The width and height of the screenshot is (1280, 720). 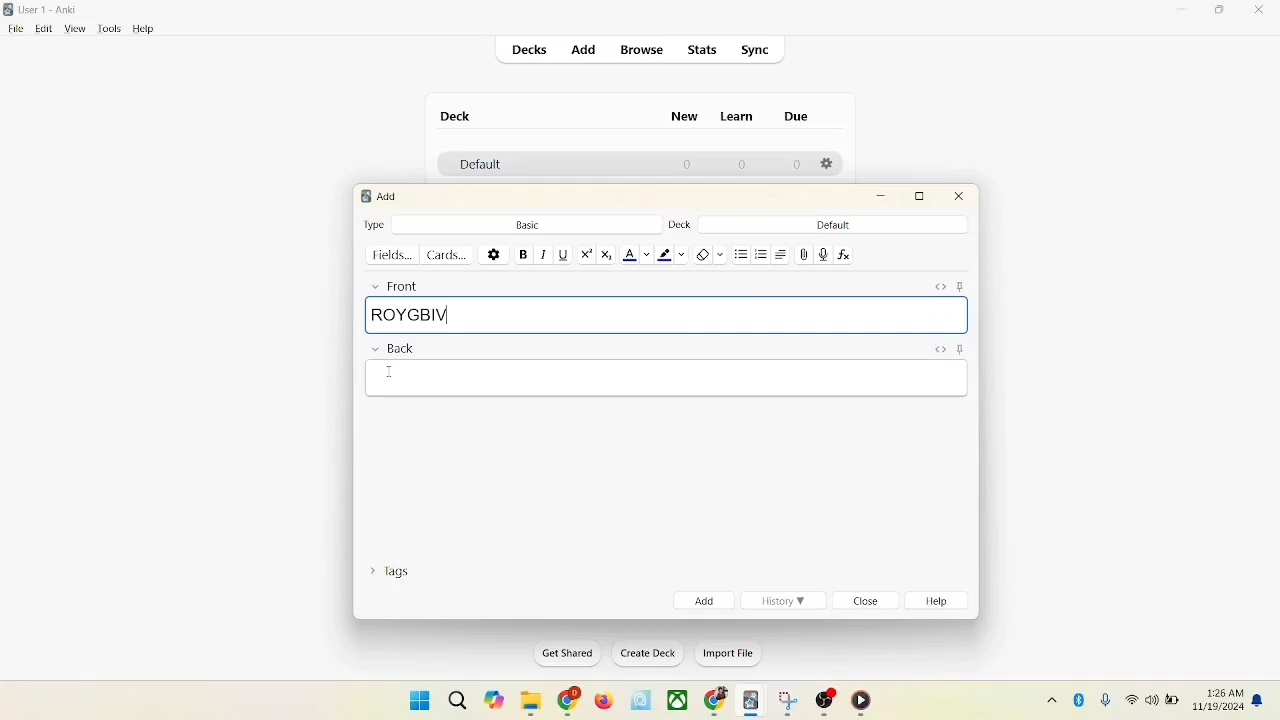 What do you see at coordinates (395, 575) in the screenshot?
I see `tags` at bounding box center [395, 575].